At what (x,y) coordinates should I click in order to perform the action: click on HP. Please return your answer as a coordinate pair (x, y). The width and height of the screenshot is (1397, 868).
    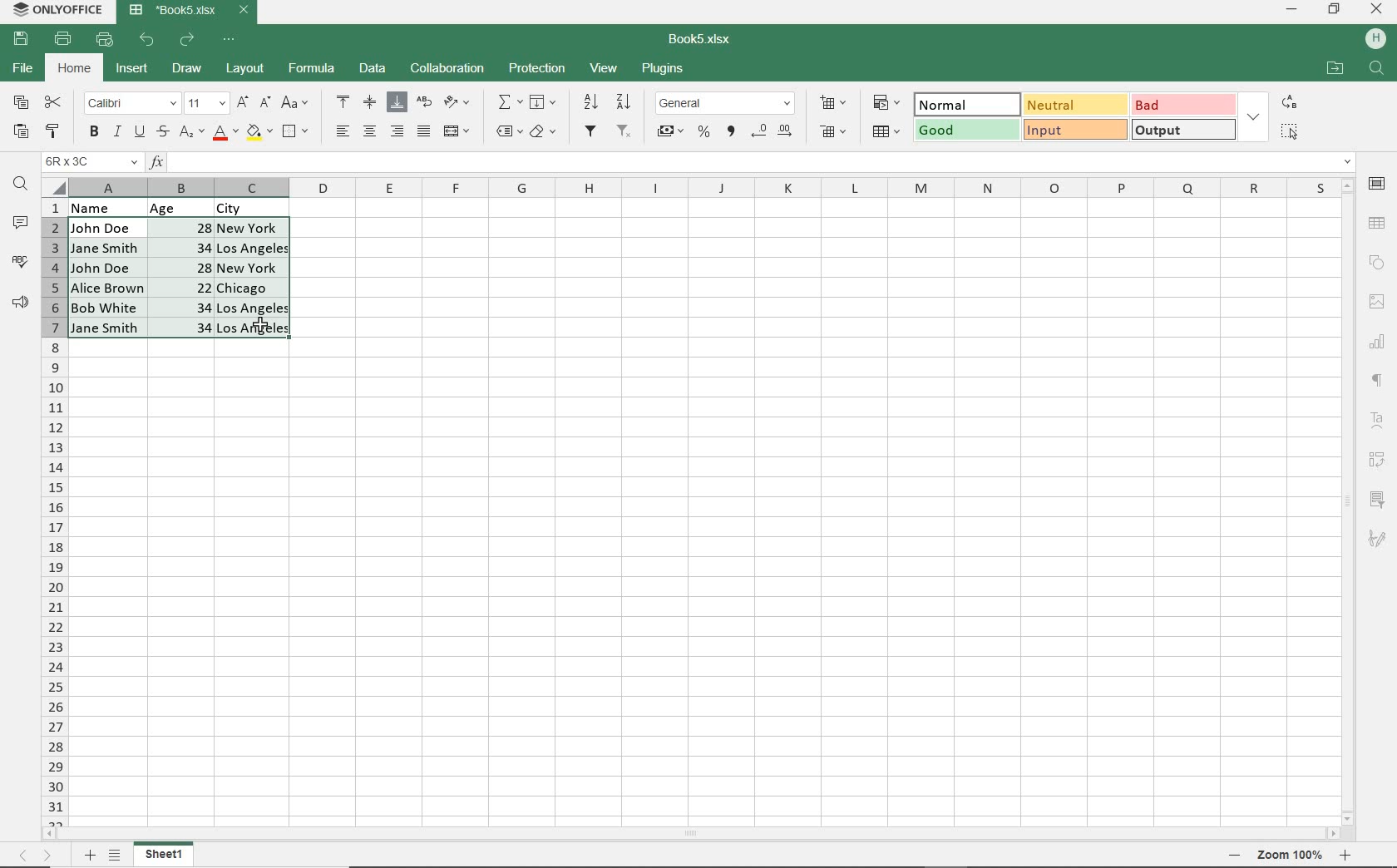
    Looking at the image, I should click on (1375, 40).